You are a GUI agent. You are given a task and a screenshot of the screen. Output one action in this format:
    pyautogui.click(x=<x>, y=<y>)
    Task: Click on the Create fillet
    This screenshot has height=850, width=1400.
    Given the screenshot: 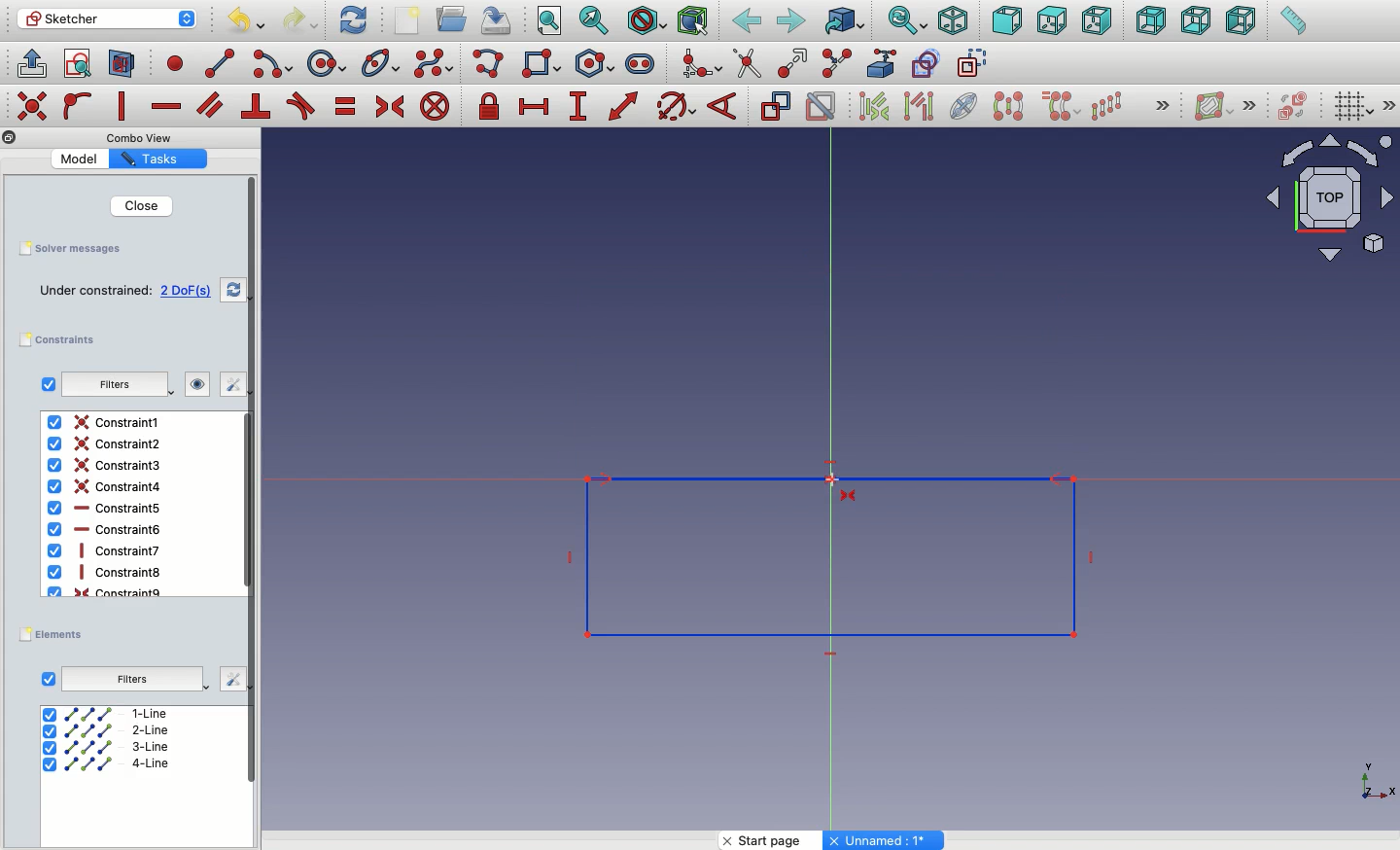 What is the action you would take?
    pyautogui.click(x=700, y=65)
    